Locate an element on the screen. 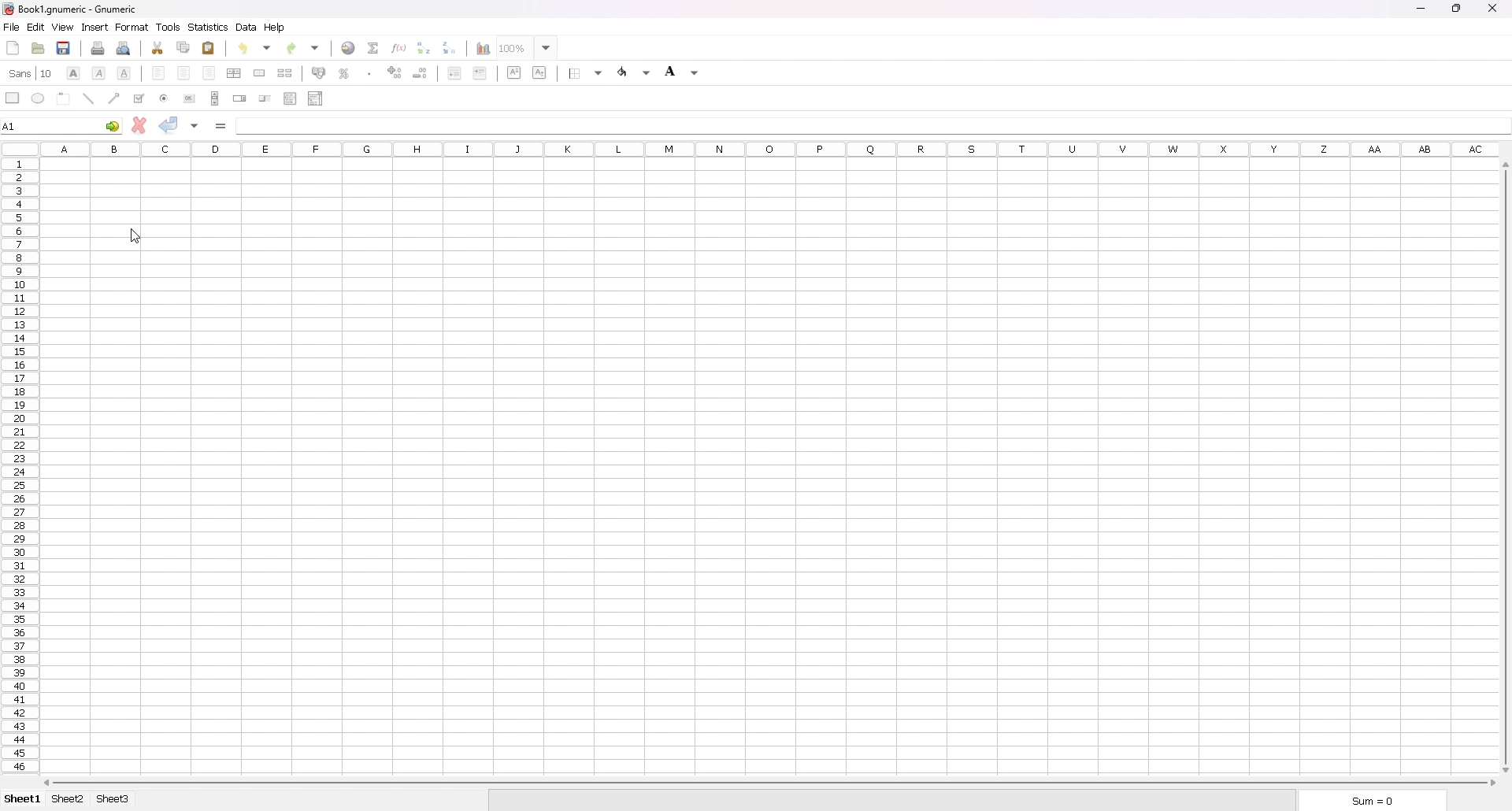 Image resolution: width=1512 pixels, height=811 pixels. foreground is located at coordinates (636, 72).